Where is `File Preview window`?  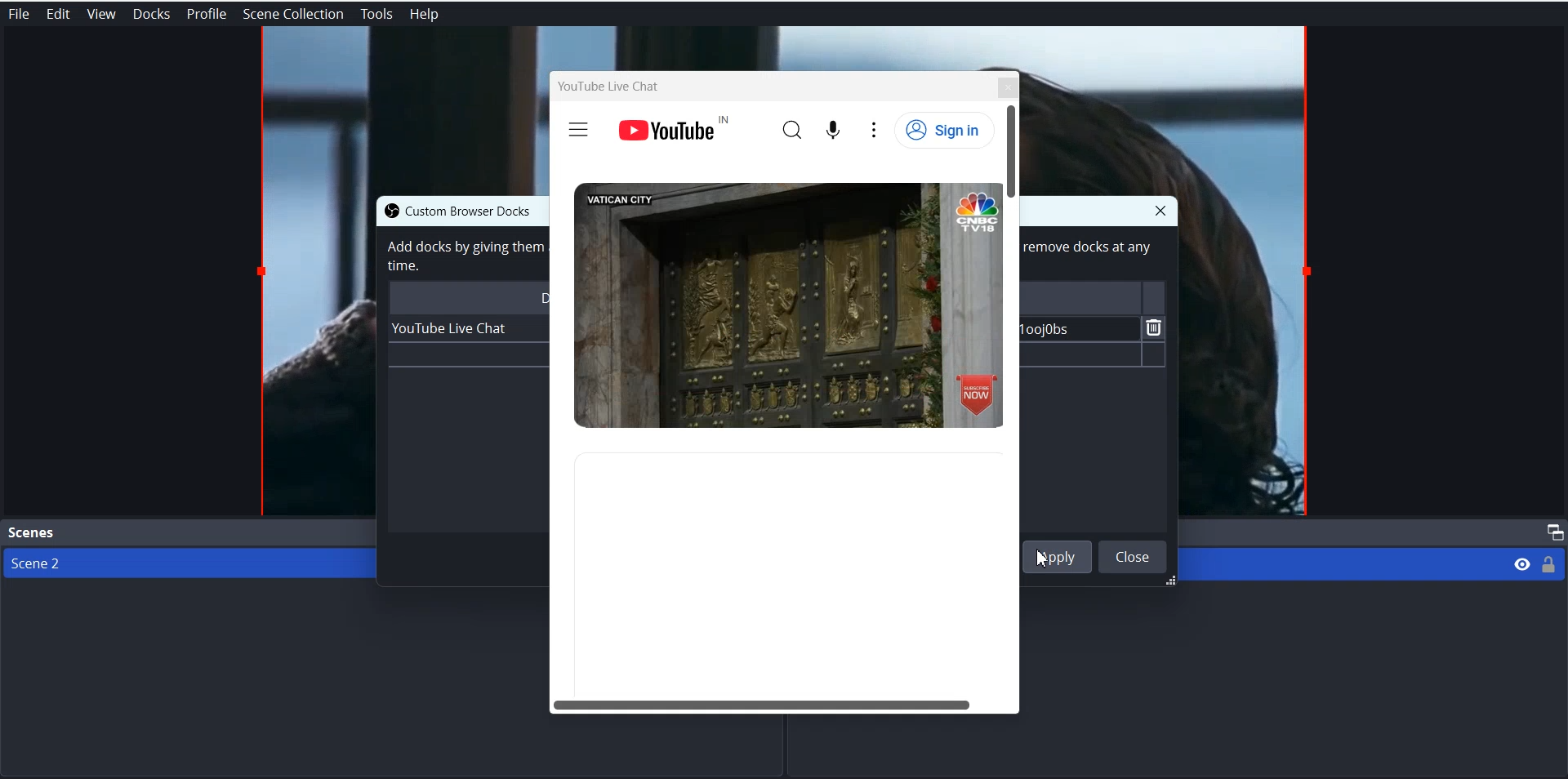 File Preview window is located at coordinates (1174, 111).